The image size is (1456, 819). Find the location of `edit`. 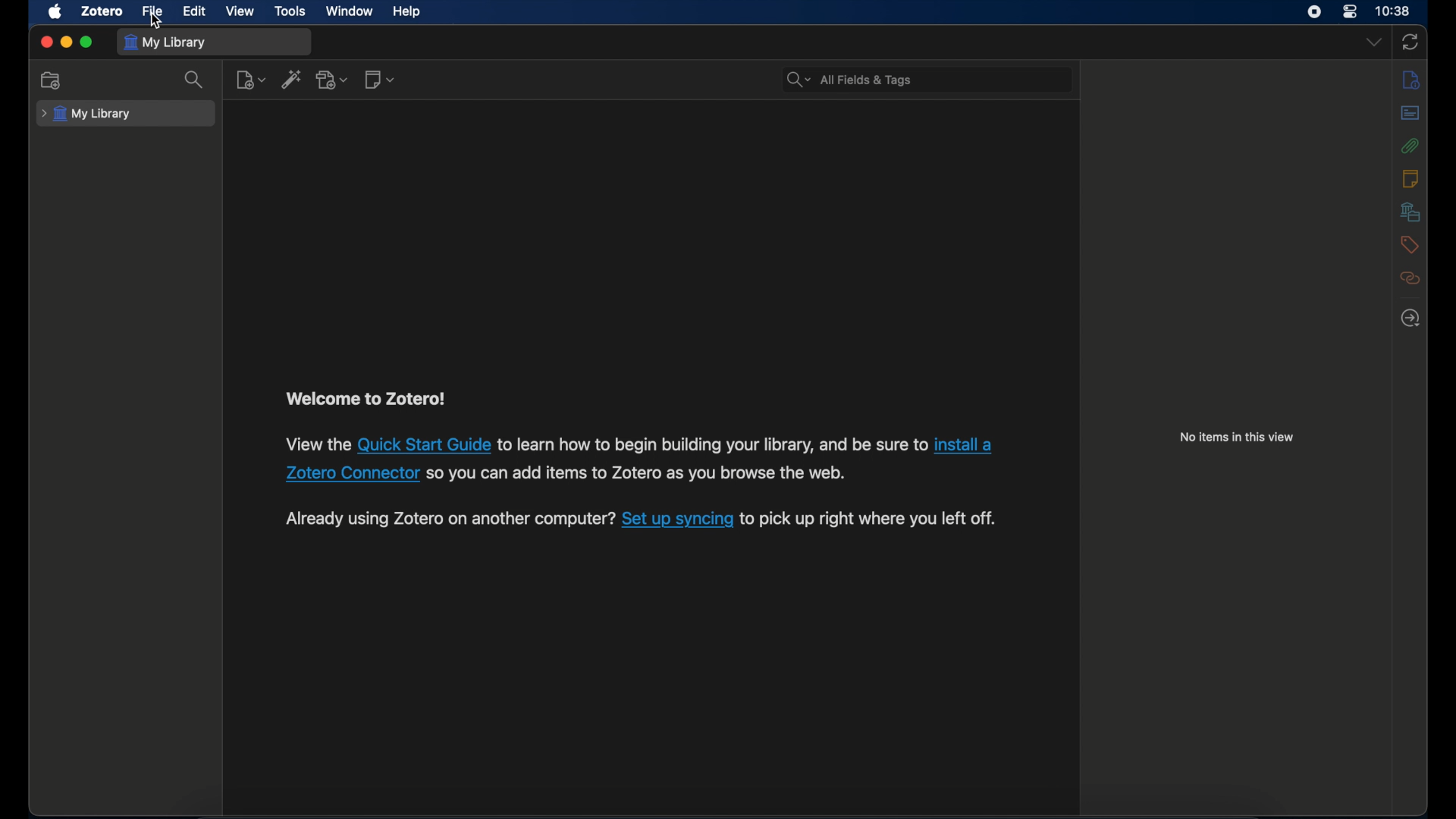

edit is located at coordinates (196, 11).